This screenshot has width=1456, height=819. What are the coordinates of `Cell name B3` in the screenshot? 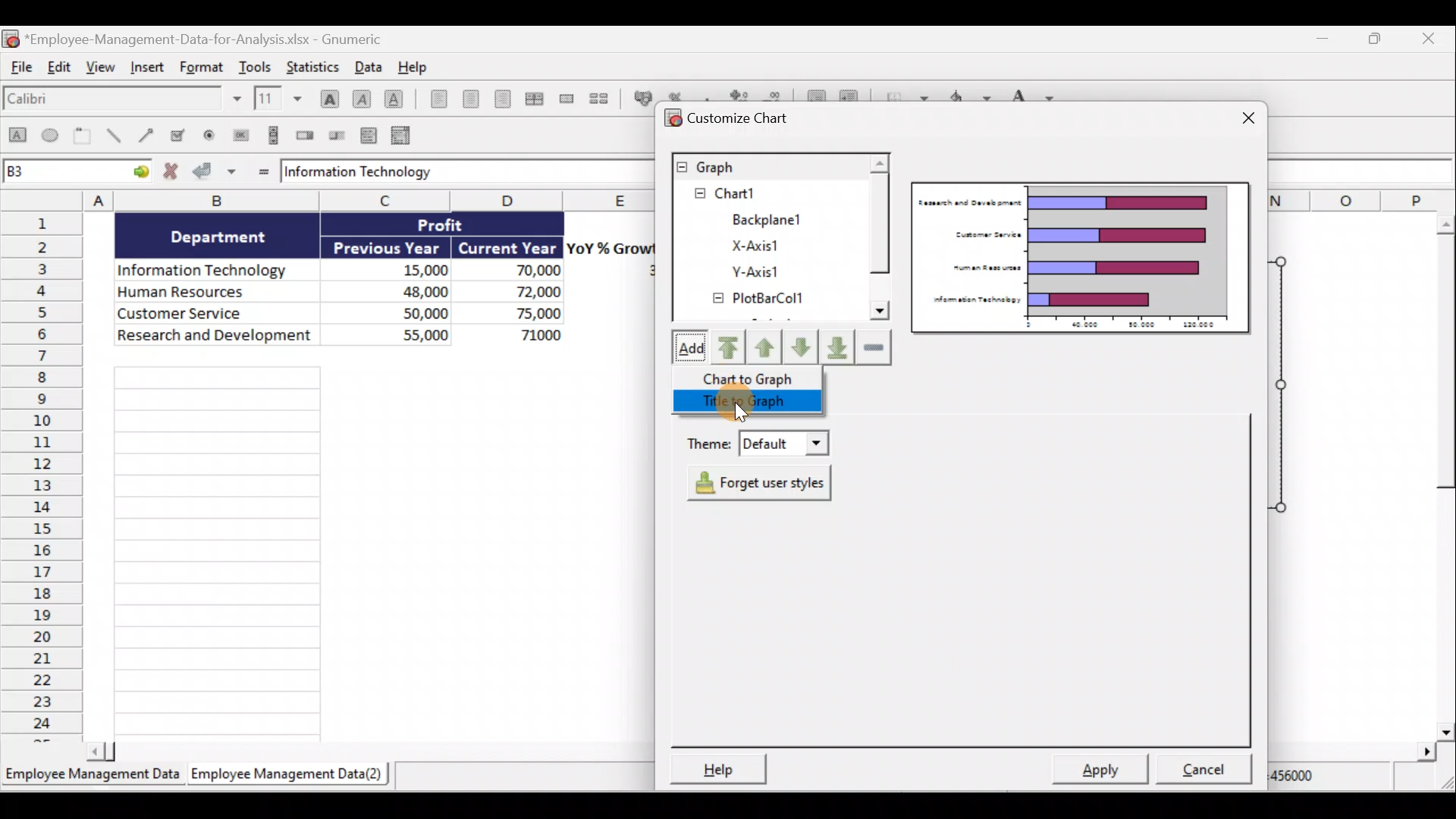 It's located at (61, 173).